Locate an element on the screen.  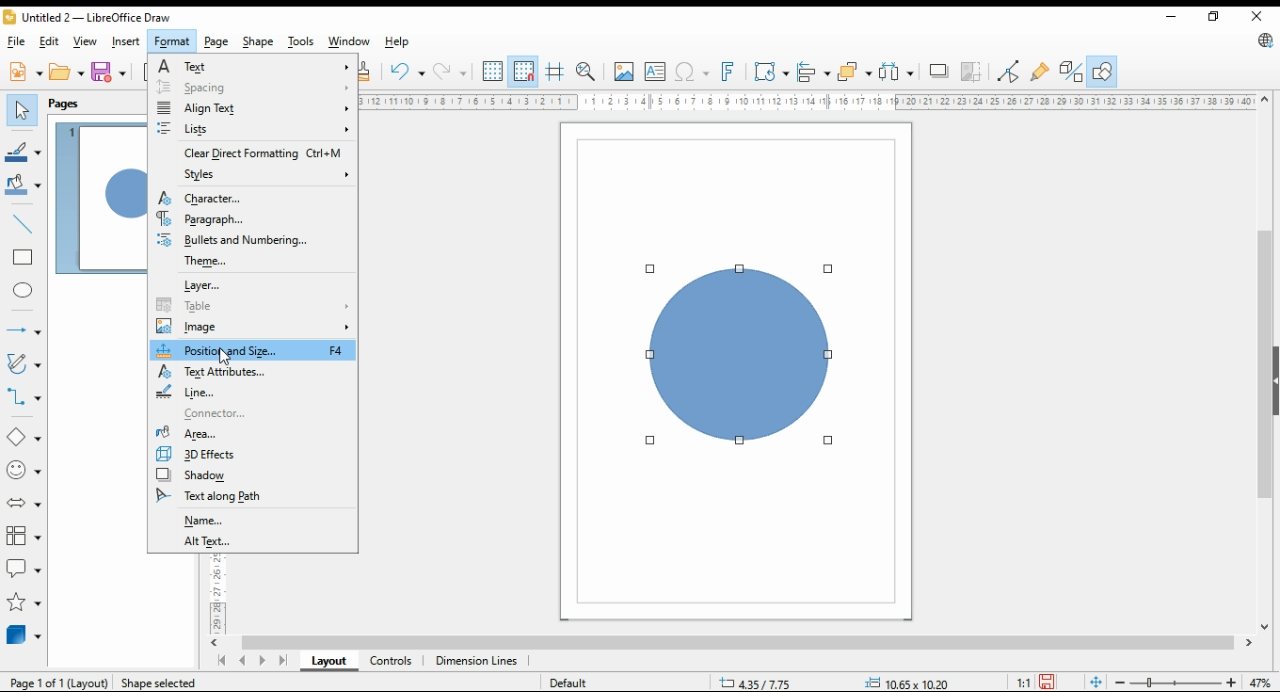
zoom and pan is located at coordinates (586, 72).